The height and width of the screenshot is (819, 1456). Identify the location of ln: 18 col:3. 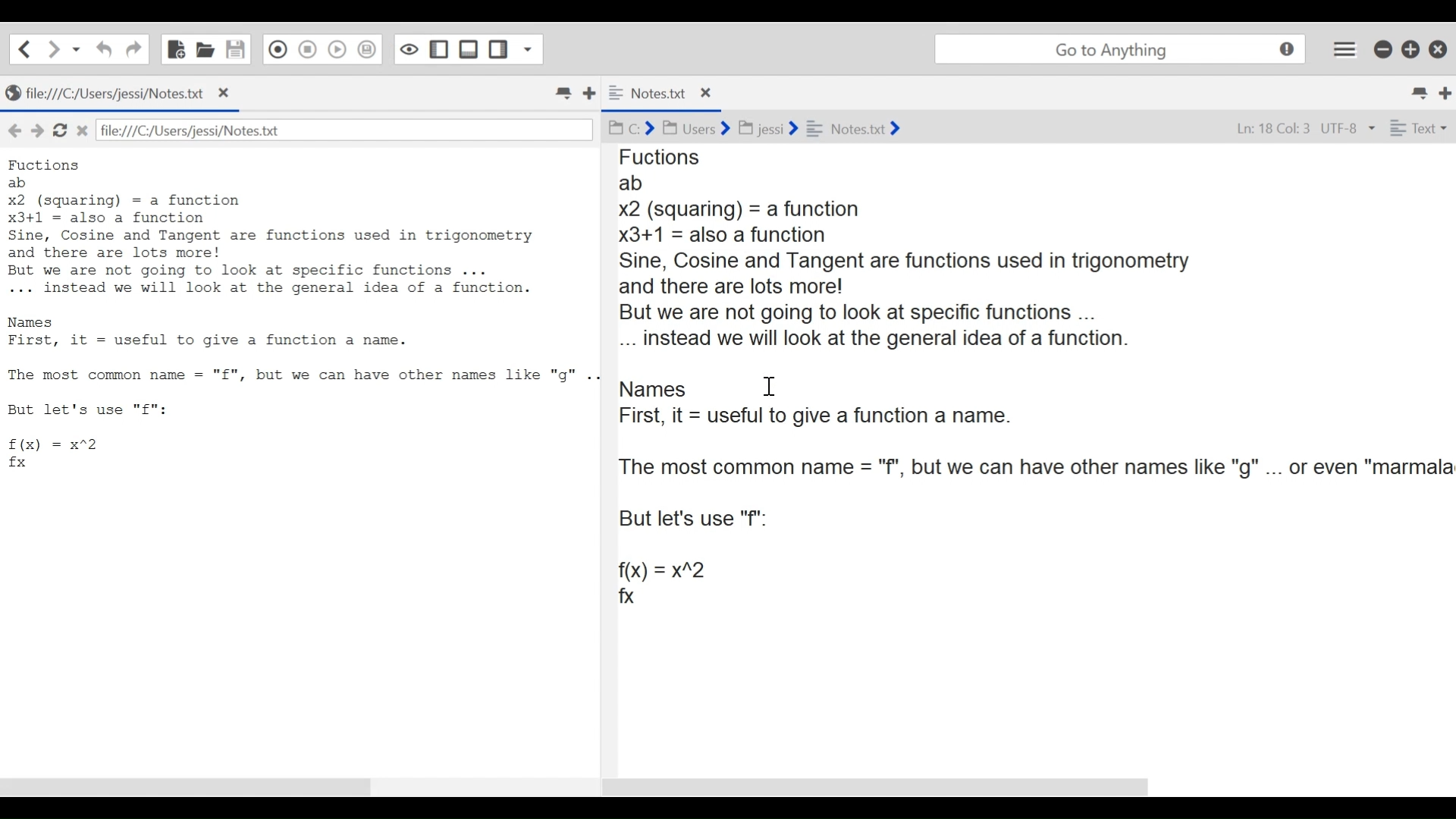
(1271, 130).